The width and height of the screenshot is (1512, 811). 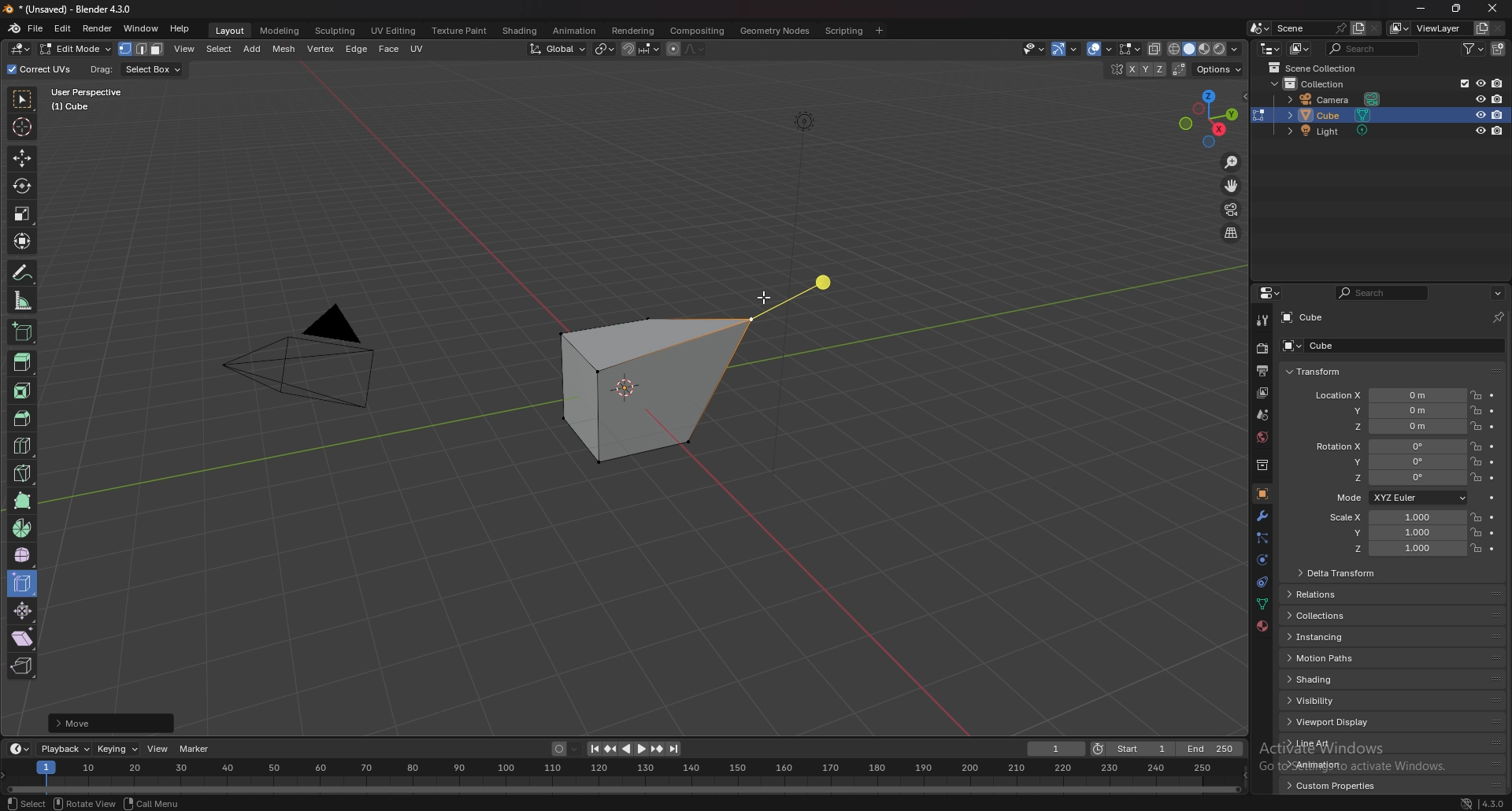 What do you see at coordinates (63, 30) in the screenshot?
I see `edit` at bounding box center [63, 30].